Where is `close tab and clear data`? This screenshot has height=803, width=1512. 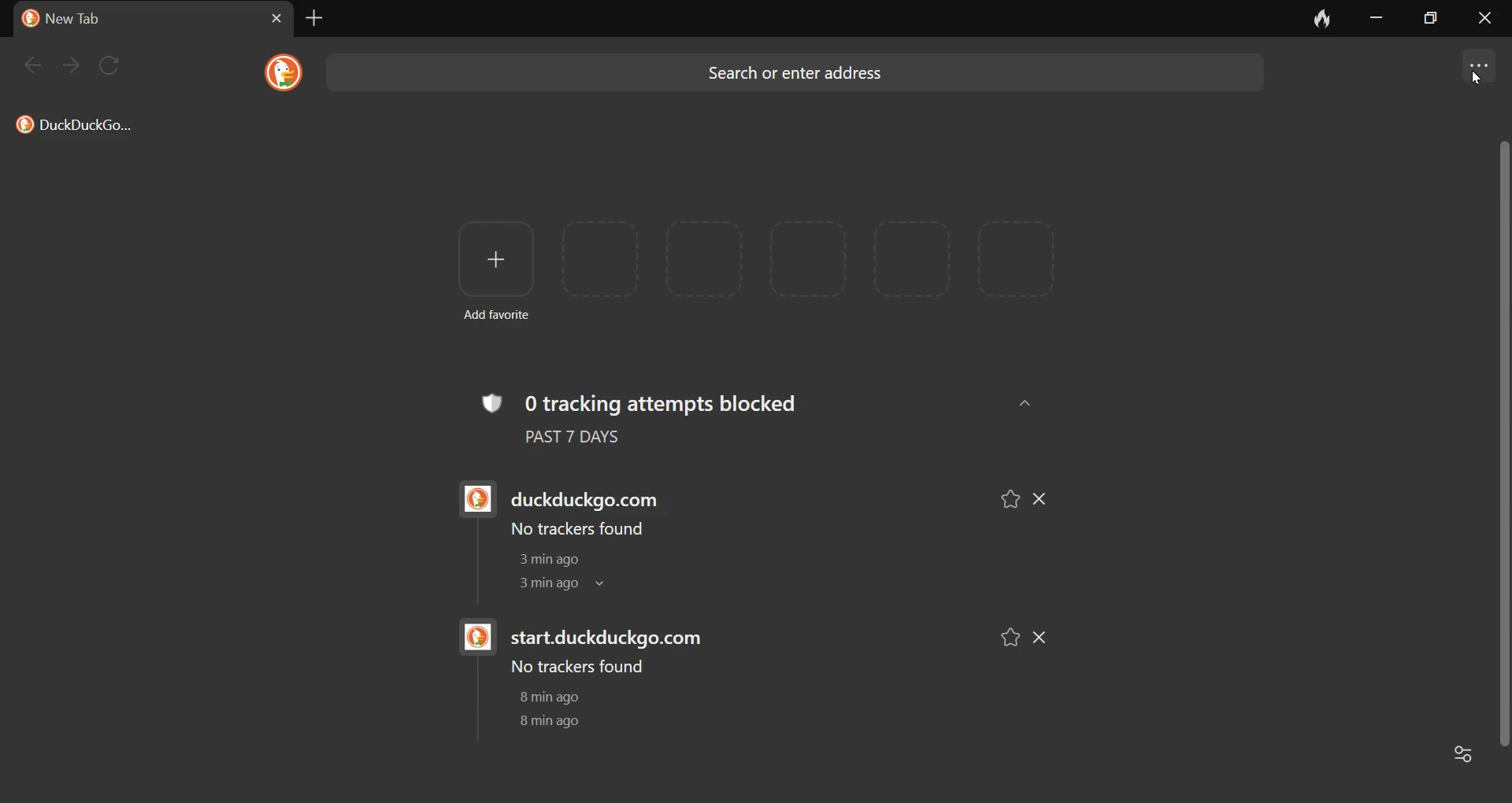
close tab and clear data is located at coordinates (1311, 18).